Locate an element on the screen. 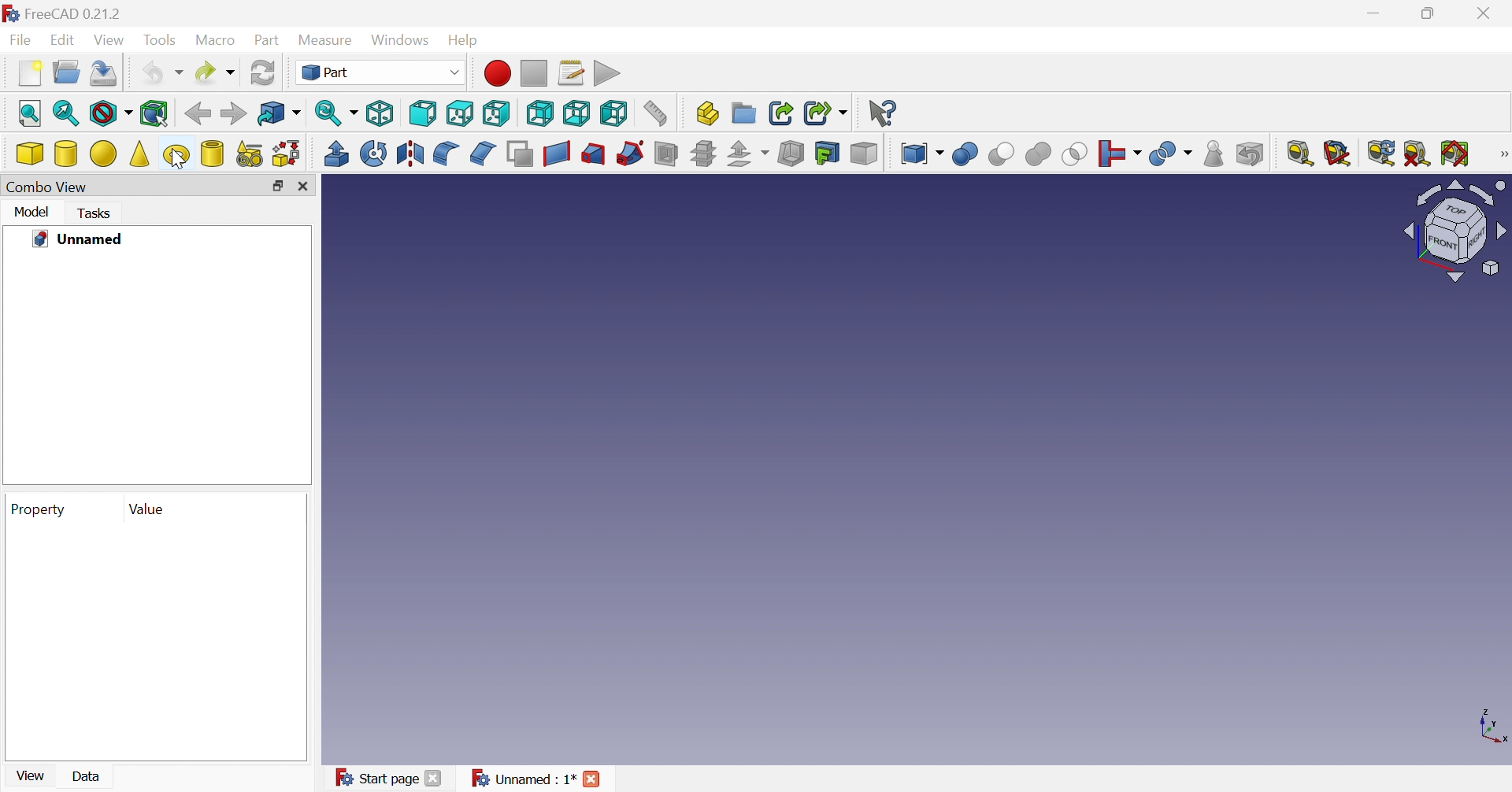  Cube is located at coordinates (31, 154).